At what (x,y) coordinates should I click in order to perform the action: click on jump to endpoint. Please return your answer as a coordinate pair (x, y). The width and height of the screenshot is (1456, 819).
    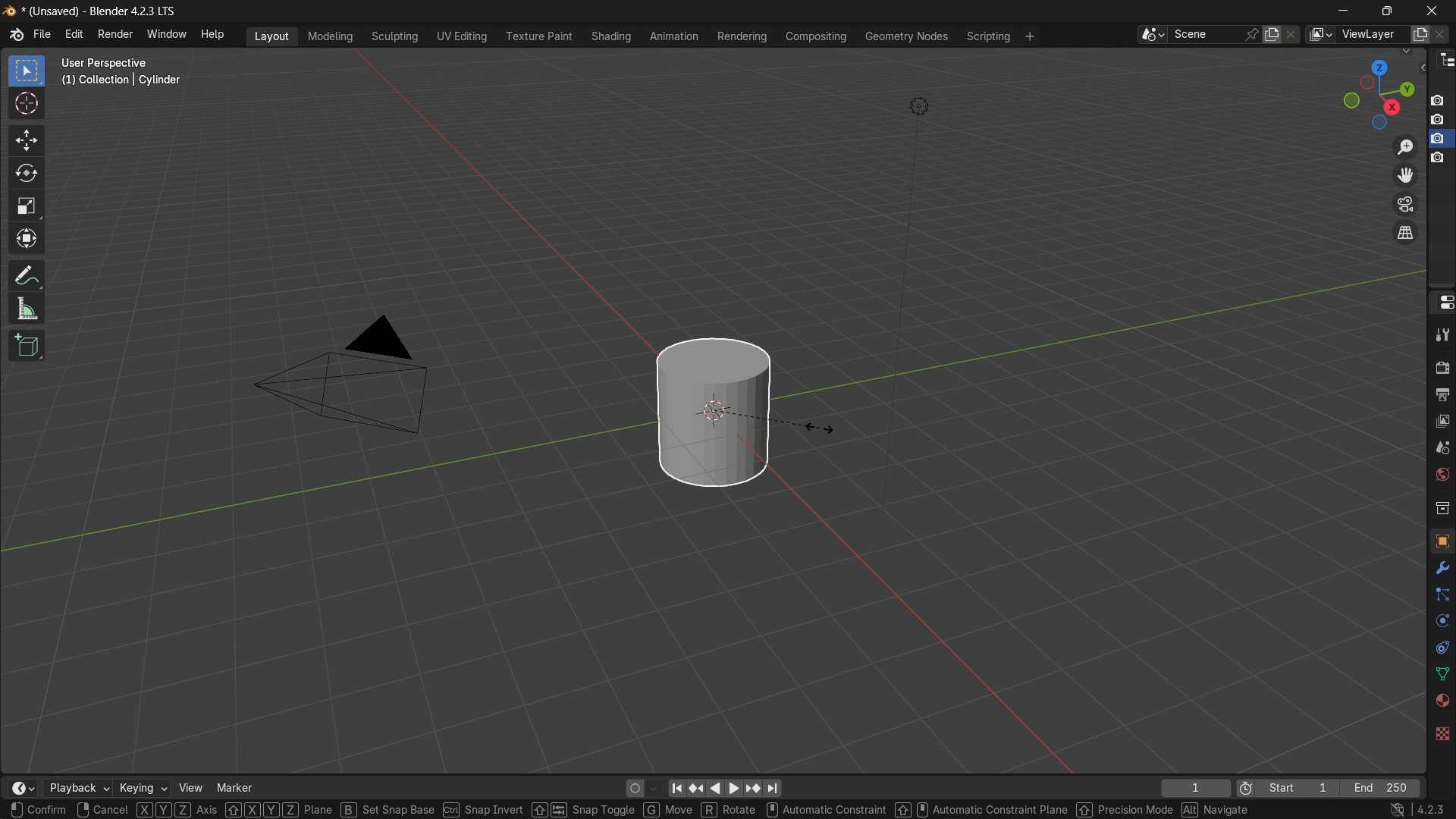
    Looking at the image, I should click on (774, 789).